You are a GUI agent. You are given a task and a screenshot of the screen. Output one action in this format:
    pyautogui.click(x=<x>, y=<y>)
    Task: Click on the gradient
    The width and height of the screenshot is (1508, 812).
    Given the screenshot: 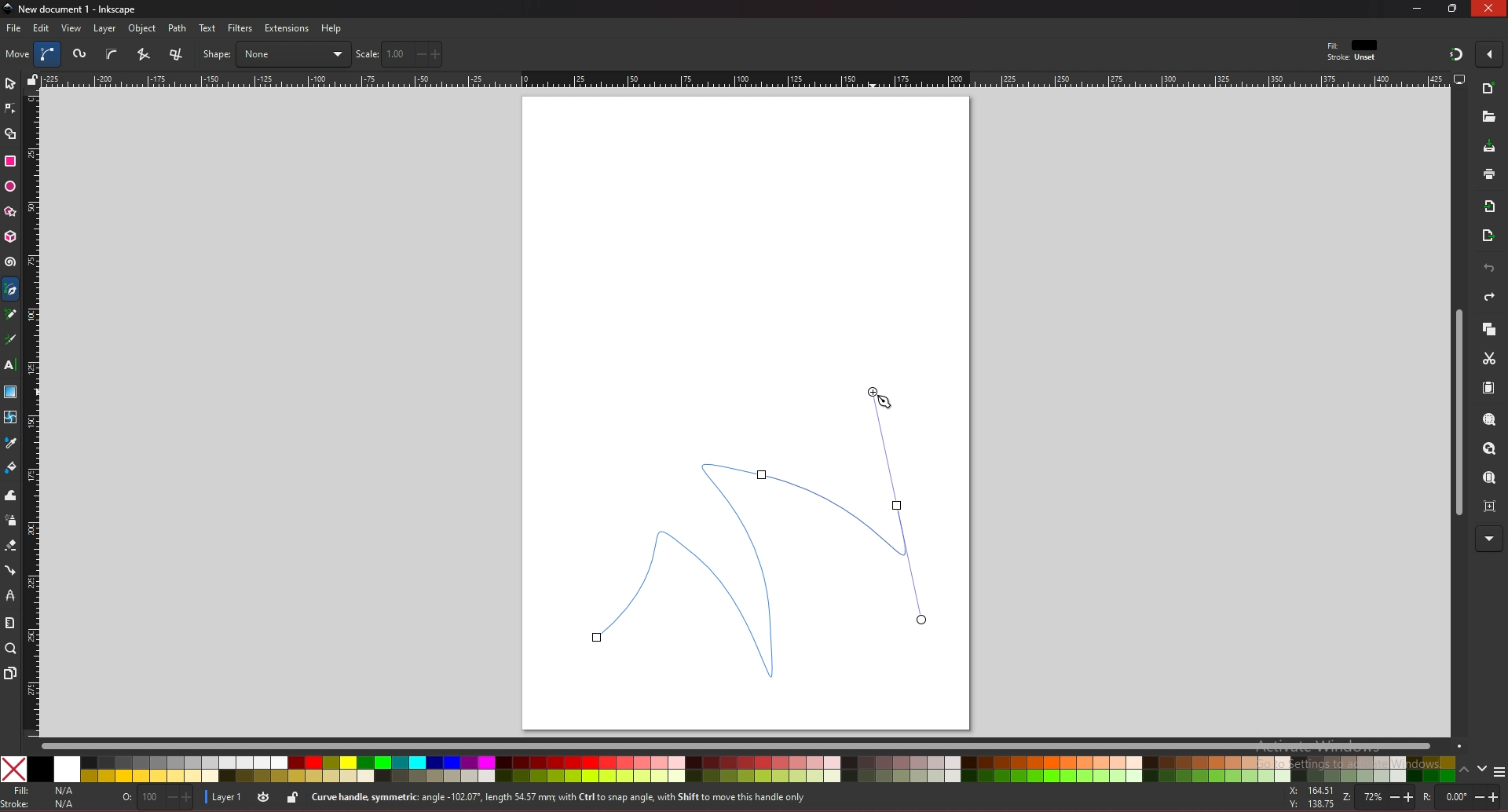 What is the action you would take?
    pyautogui.click(x=11, y=392)
    